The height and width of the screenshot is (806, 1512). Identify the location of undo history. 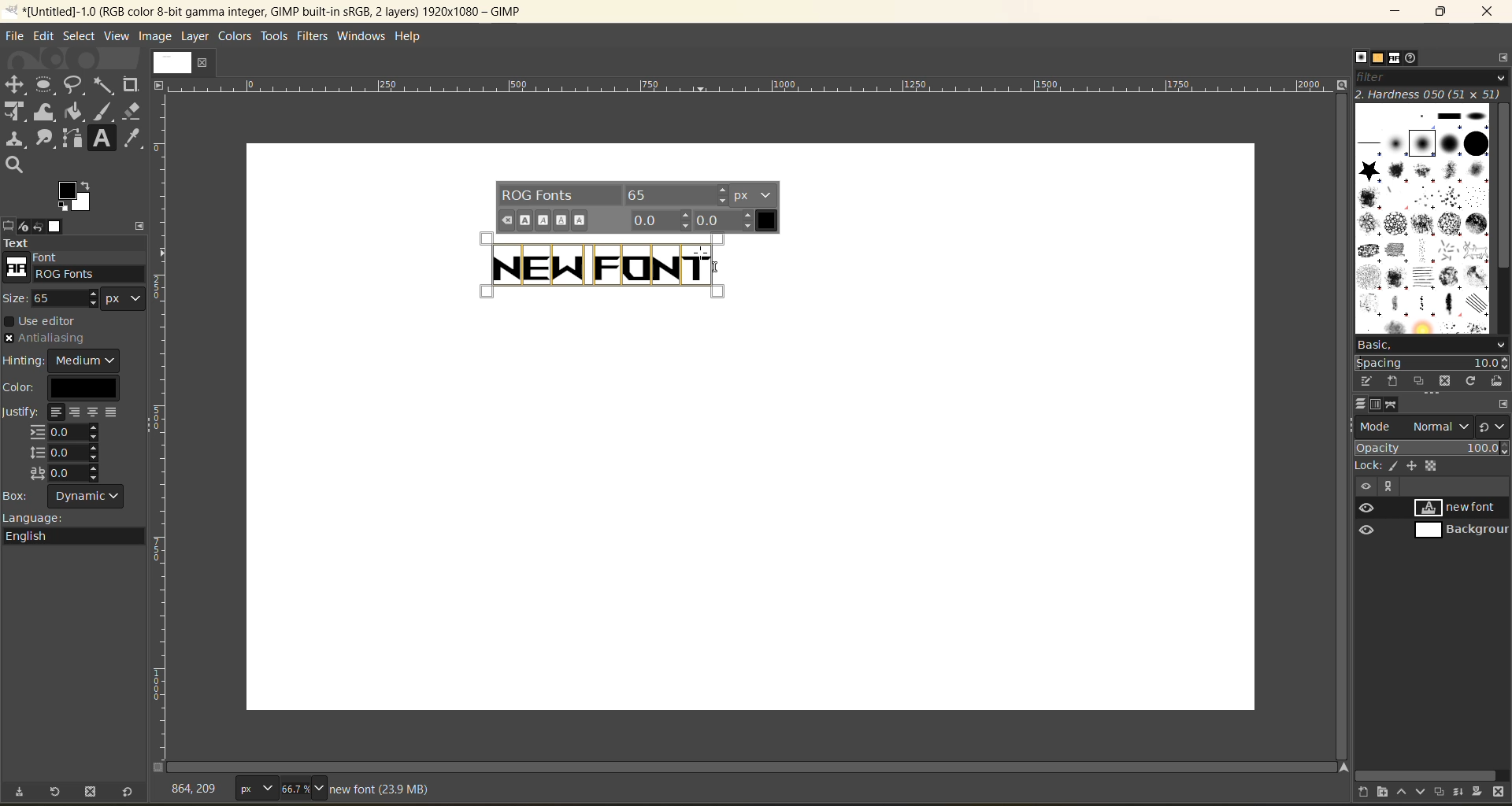
(36, 224).